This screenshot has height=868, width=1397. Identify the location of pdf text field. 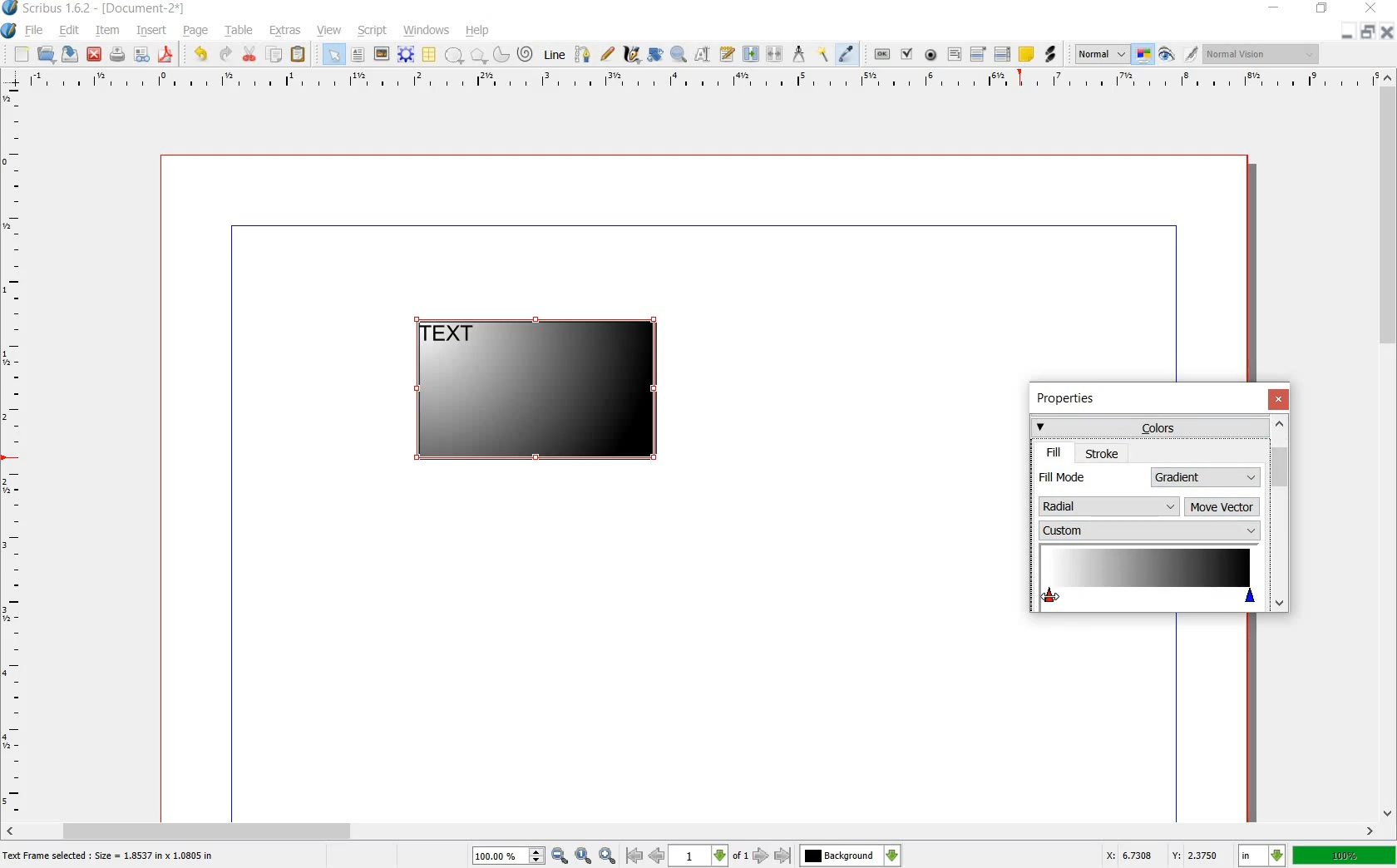
(954, 54).